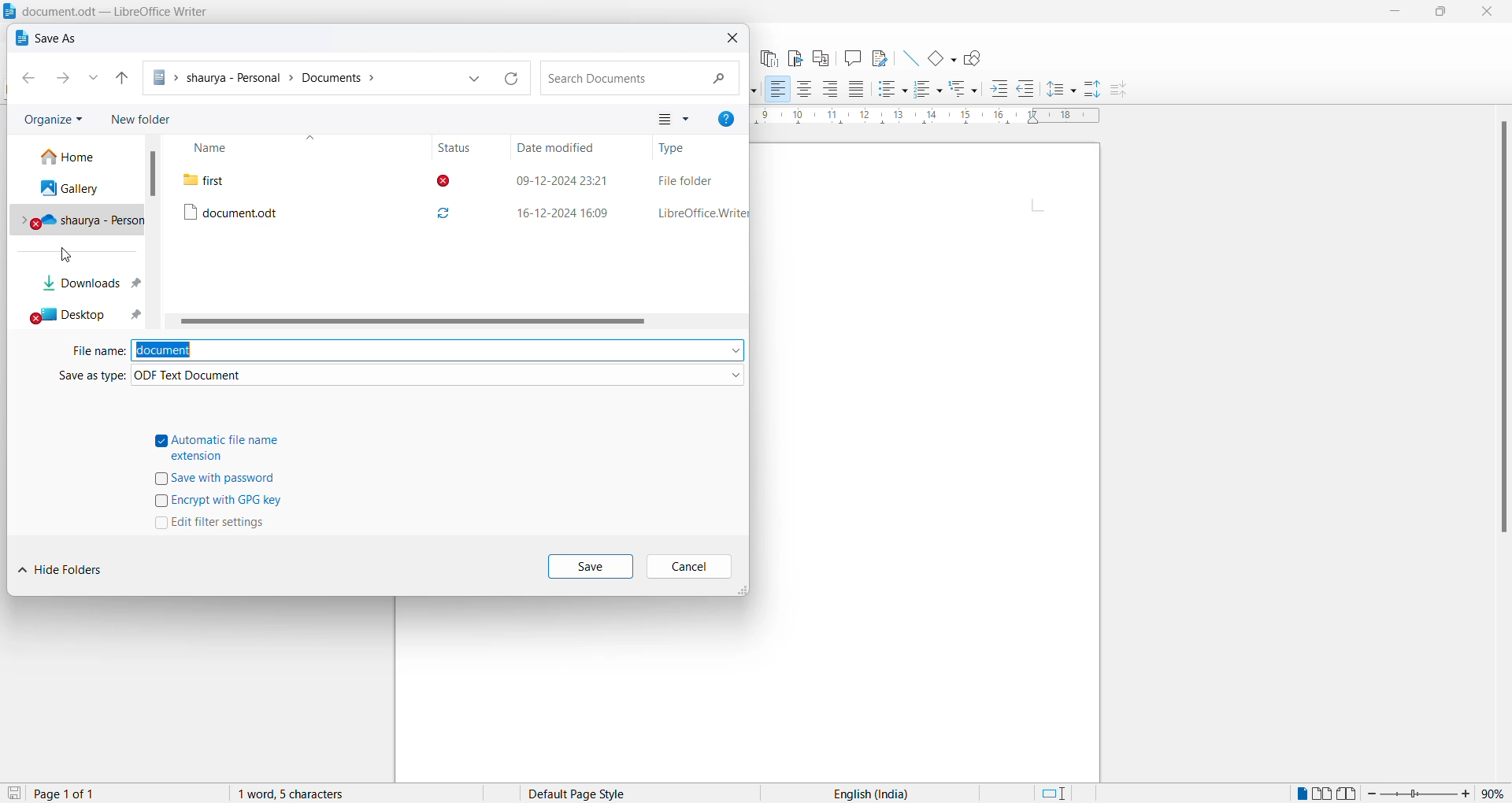 The width and height of the screenshot is (1512, 803). I want to click on Close, so click(730, 41).